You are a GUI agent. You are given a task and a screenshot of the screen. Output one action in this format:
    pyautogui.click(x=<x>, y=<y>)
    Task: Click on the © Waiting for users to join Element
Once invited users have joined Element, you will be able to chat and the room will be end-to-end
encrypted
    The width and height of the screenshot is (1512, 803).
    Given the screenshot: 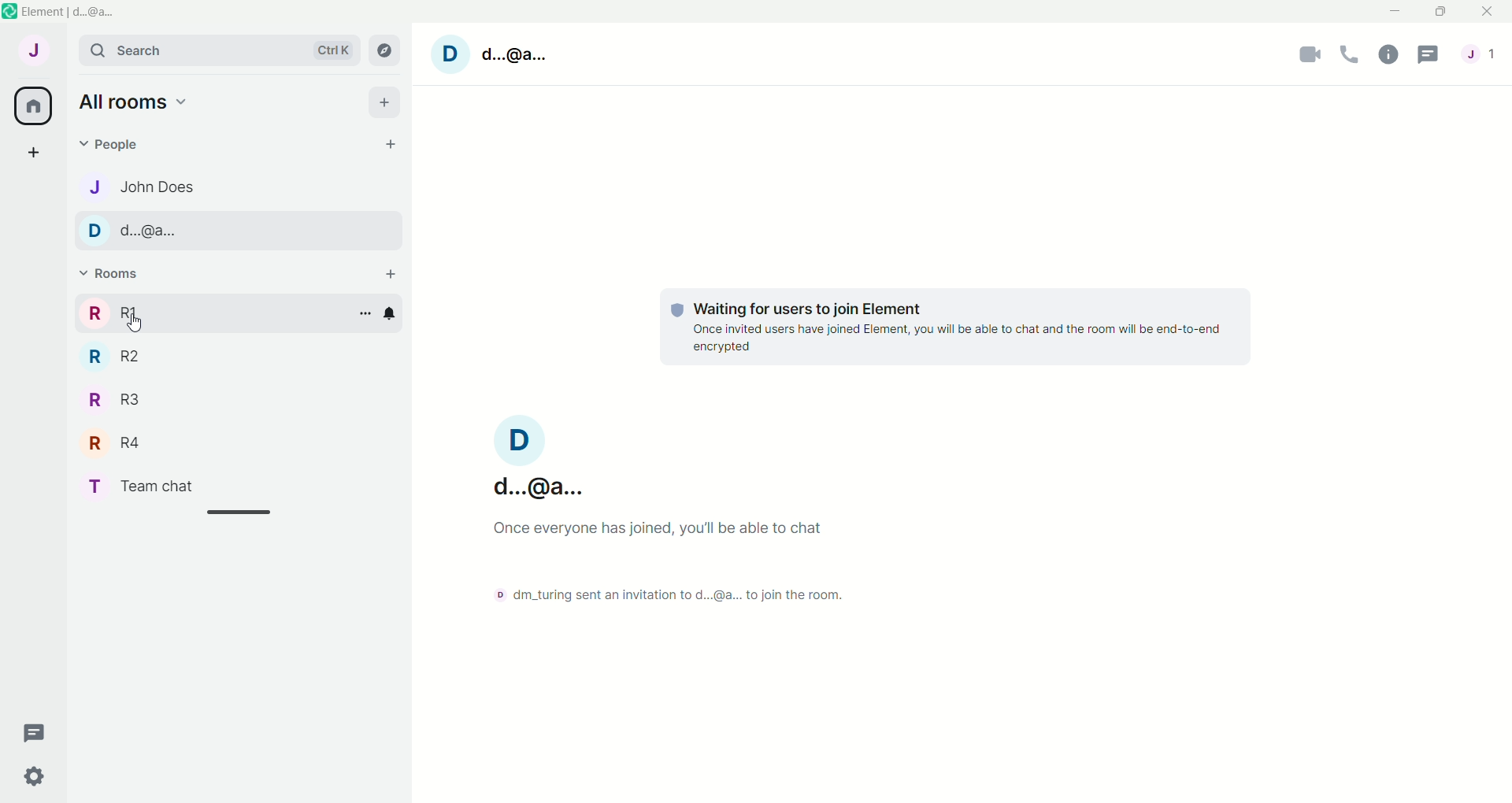 What is the action you would take?
    pyautogui.click(x=956, y=331)
    